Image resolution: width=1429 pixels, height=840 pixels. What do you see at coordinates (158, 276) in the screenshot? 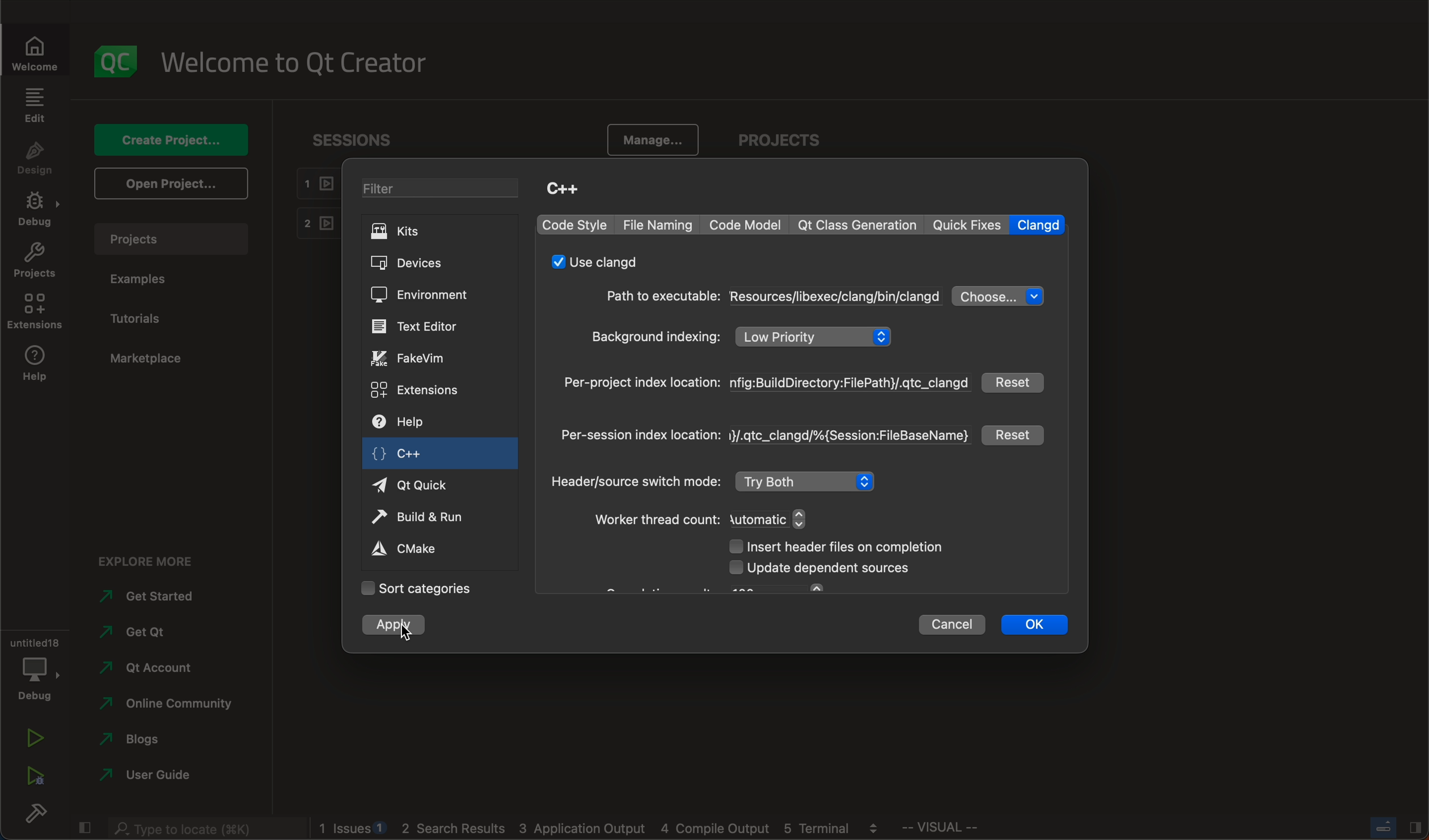
I see `examples` at bounding box center [158, 276].